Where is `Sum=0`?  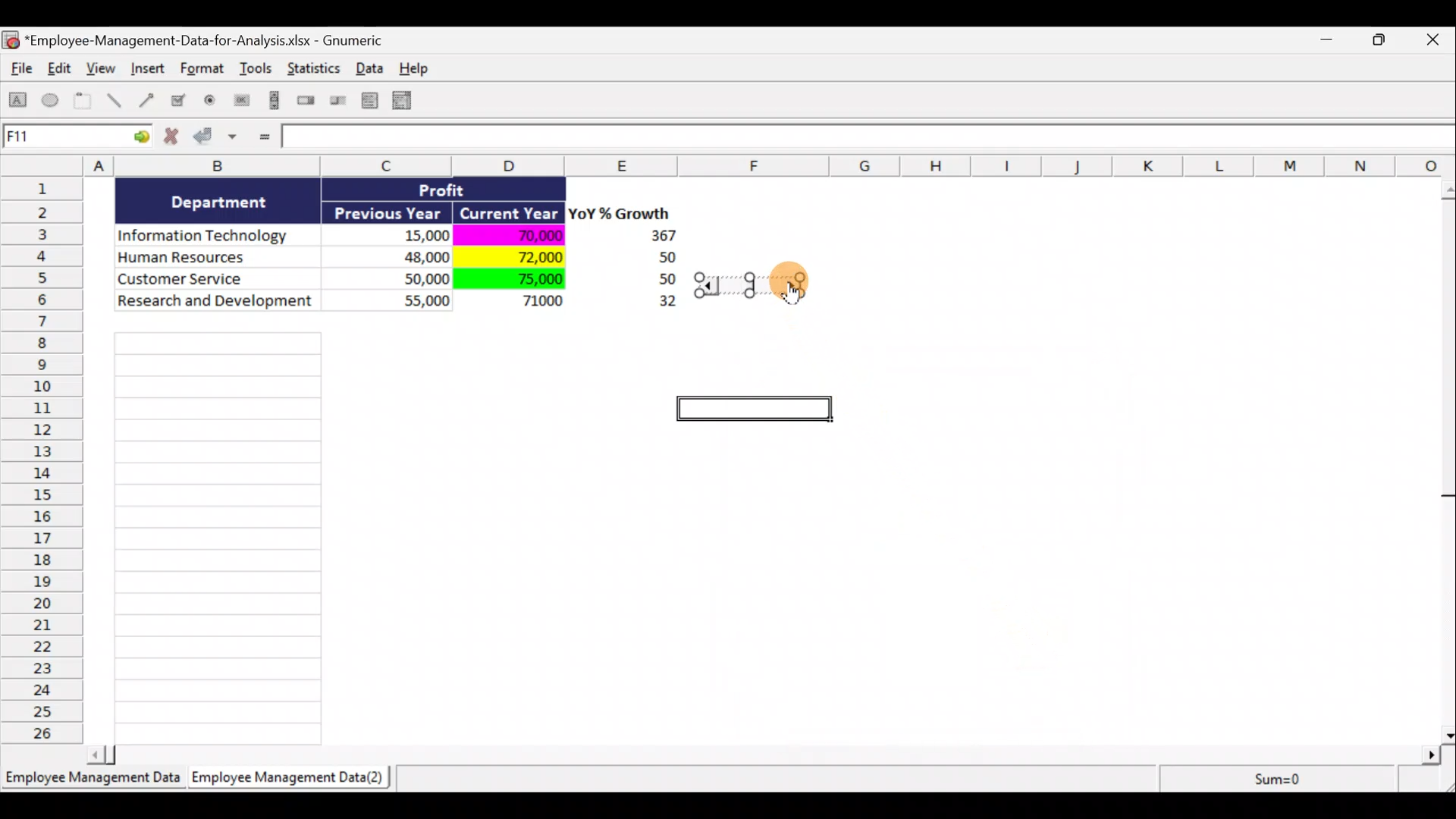
Sum=0 is located at coordinates (1275, 779).